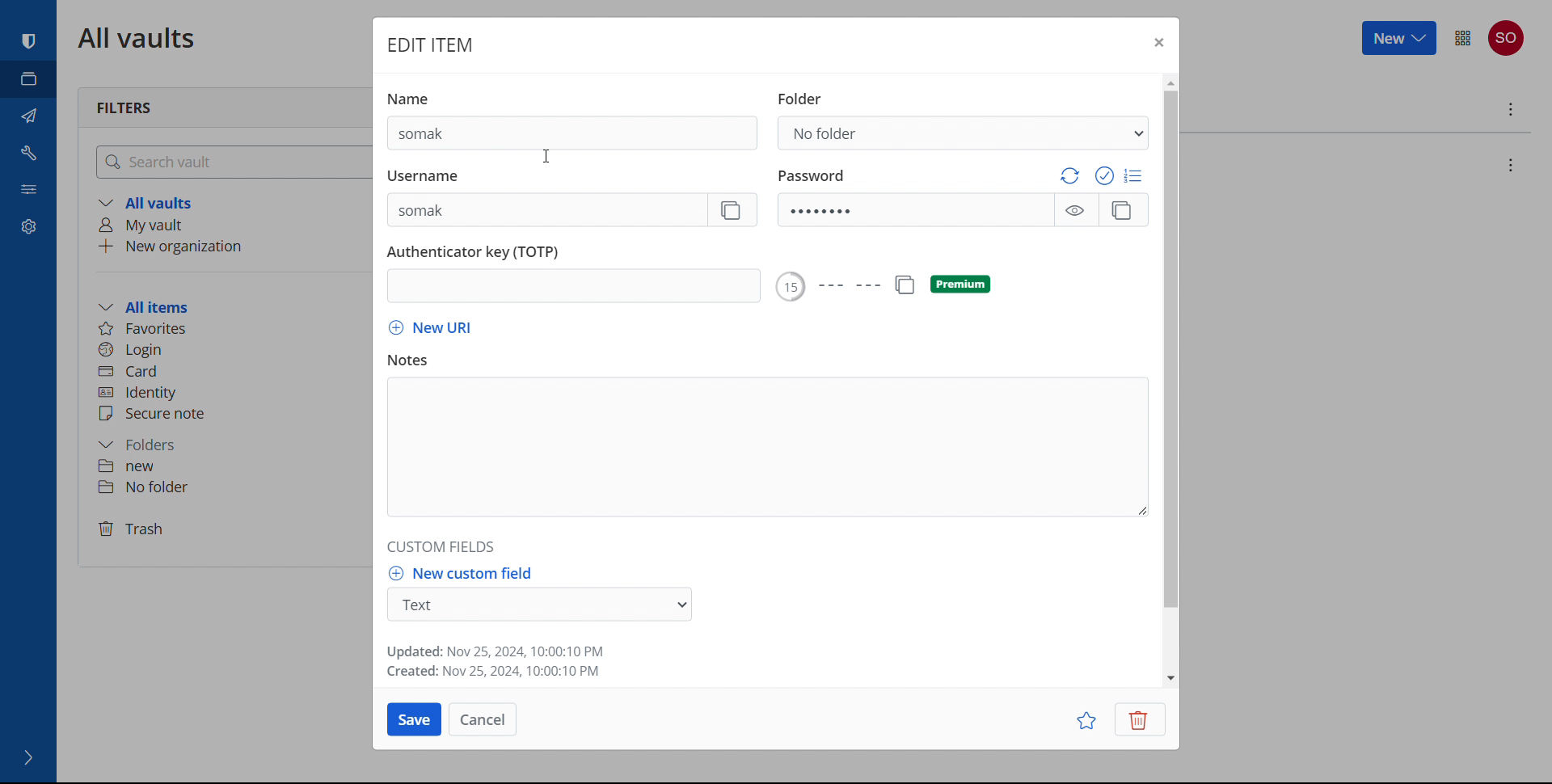  What do you see at coordinates (1086, 720) in the screenshot?
I see `favorites` at bounding box center [1086, 720].